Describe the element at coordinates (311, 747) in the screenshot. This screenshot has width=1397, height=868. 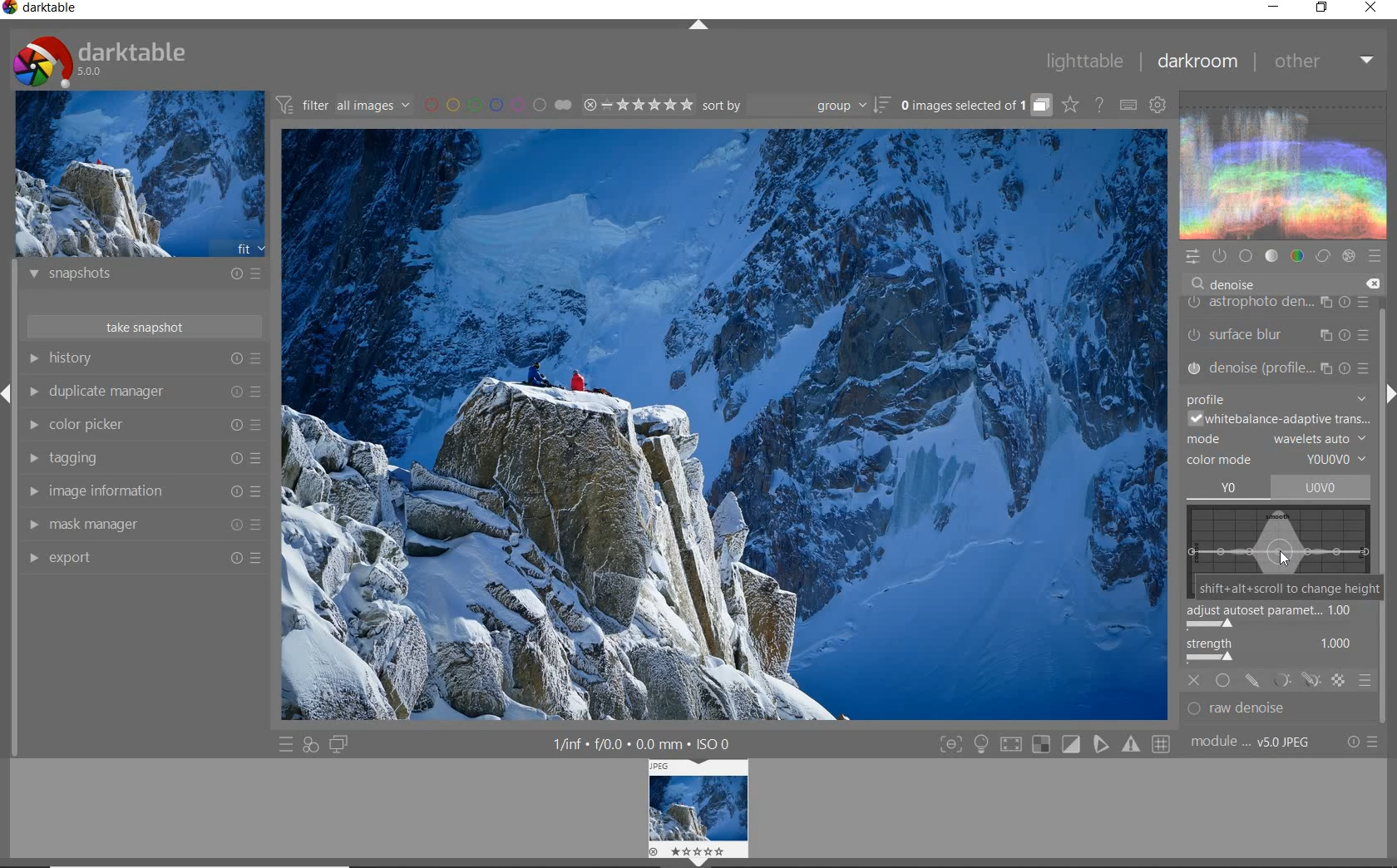
I see `quick access for applying any of your styles` at that location.